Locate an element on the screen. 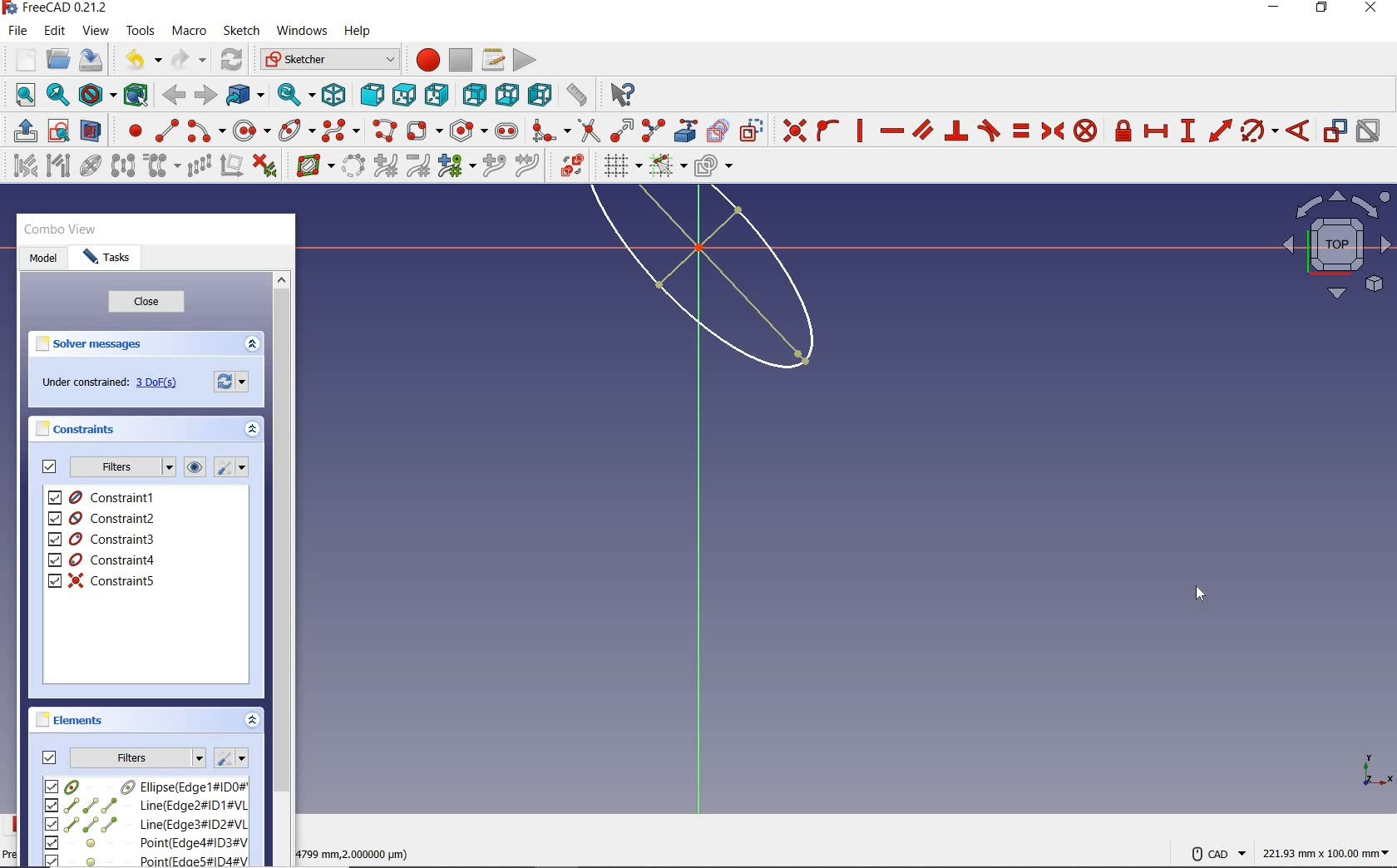 This screenshot has width=1397, height=868. create circle is located at coordinates (252, 128).